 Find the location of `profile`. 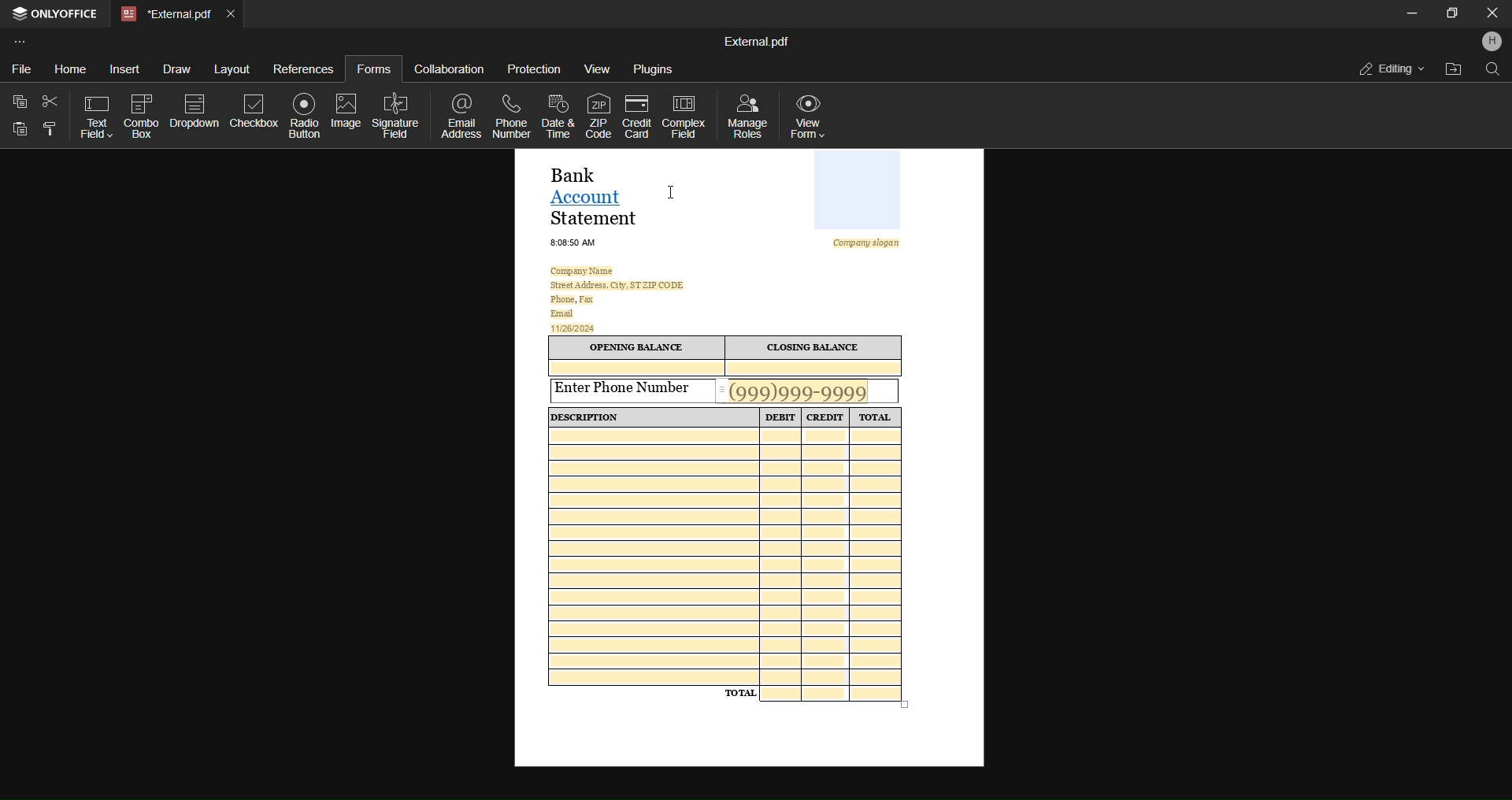

profile is located at coordinates (1491, 43).